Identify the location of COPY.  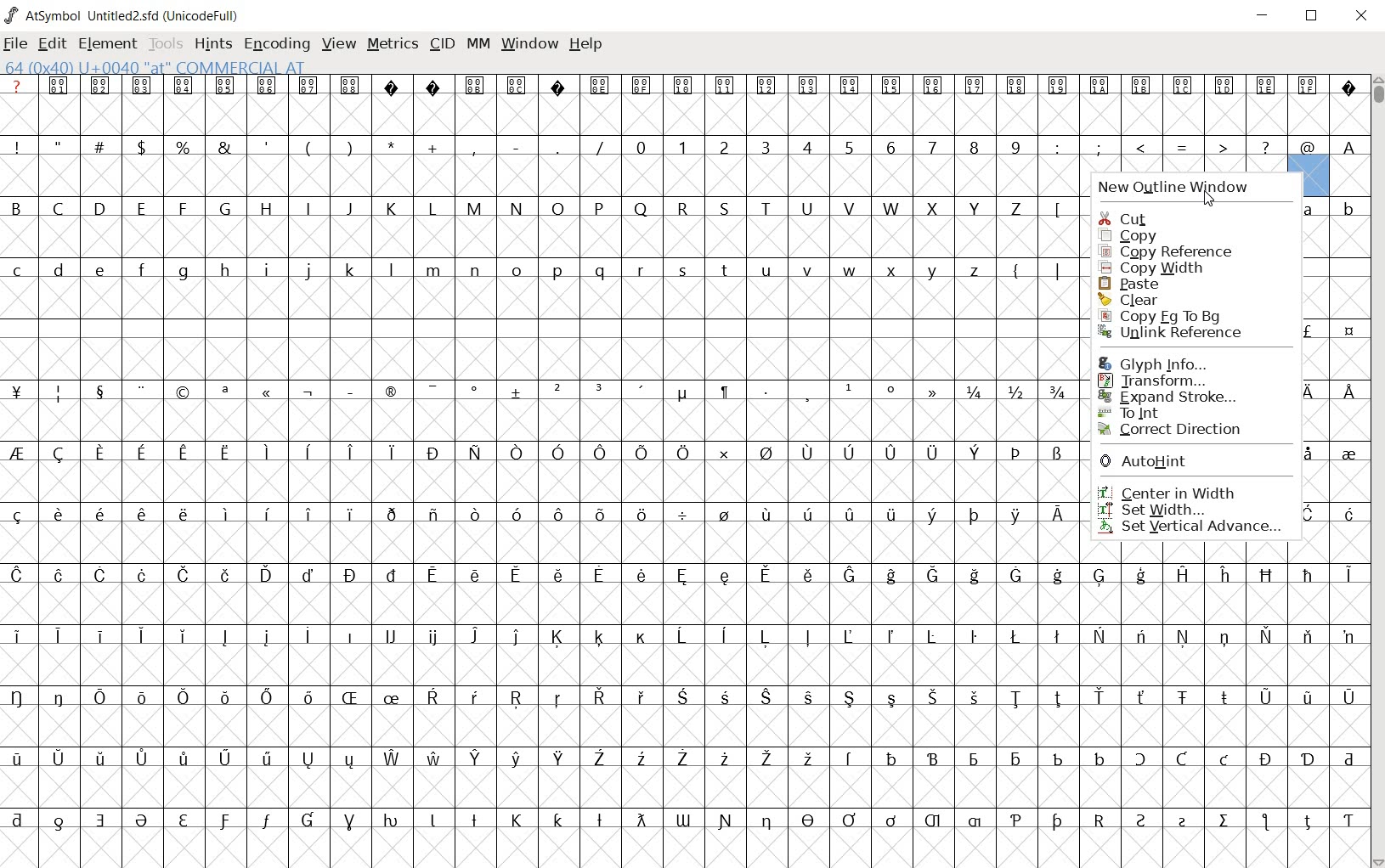
(1131, 237).